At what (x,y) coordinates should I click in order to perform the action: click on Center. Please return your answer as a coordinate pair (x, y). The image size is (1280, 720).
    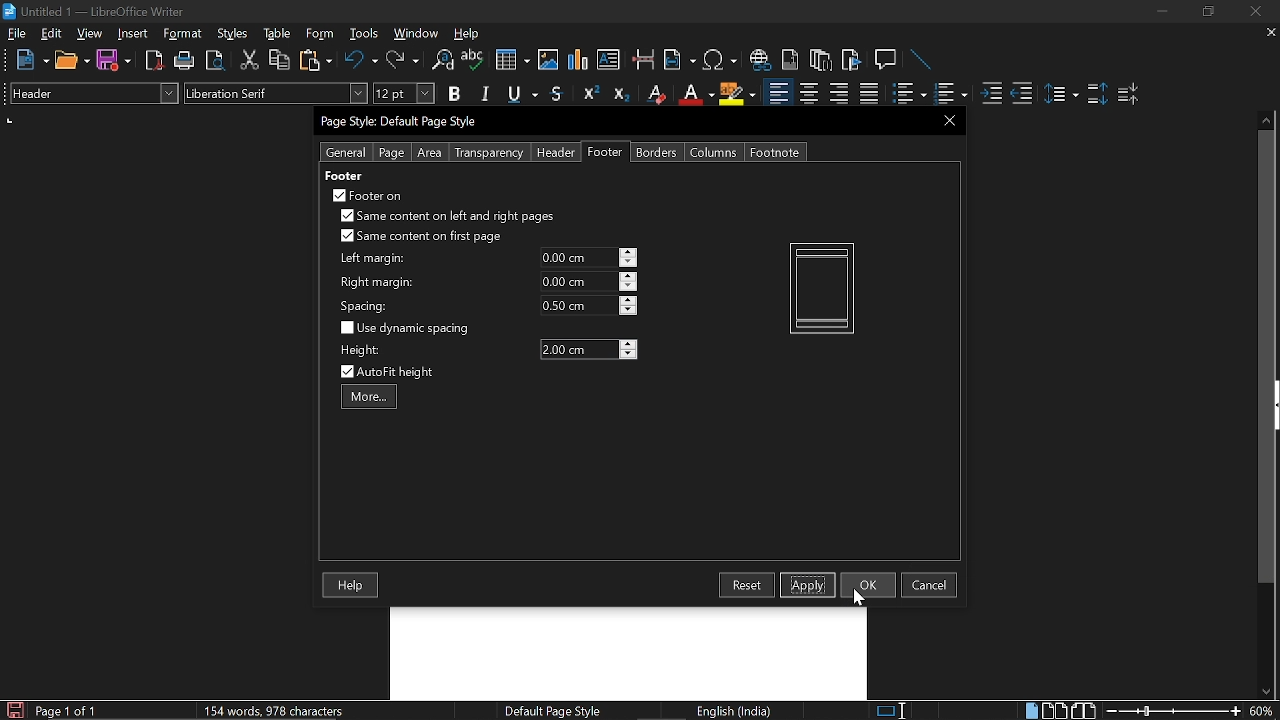
    Looking at the image, I should click on (808, 93).